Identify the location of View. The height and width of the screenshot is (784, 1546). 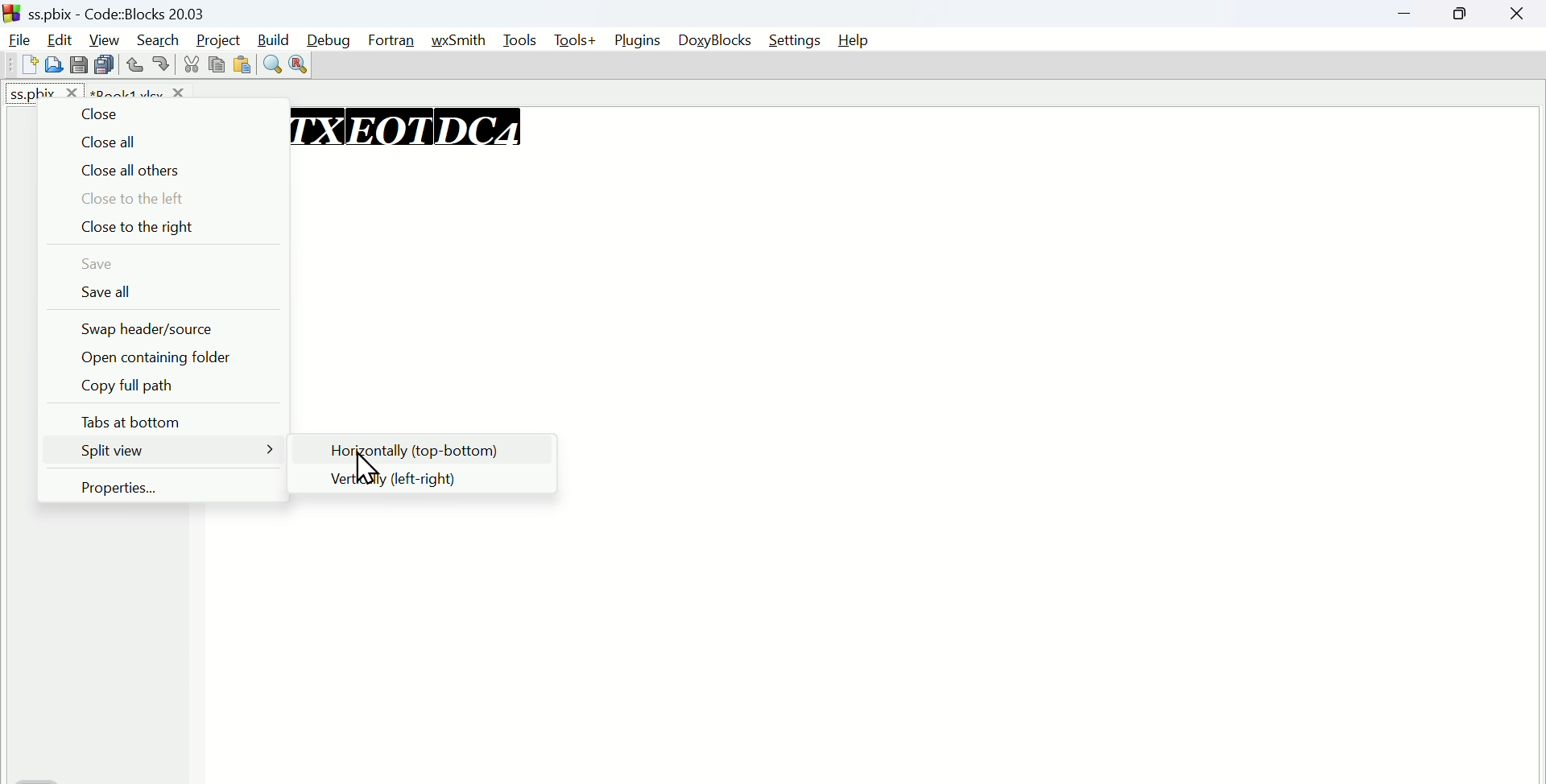
(105, 38).